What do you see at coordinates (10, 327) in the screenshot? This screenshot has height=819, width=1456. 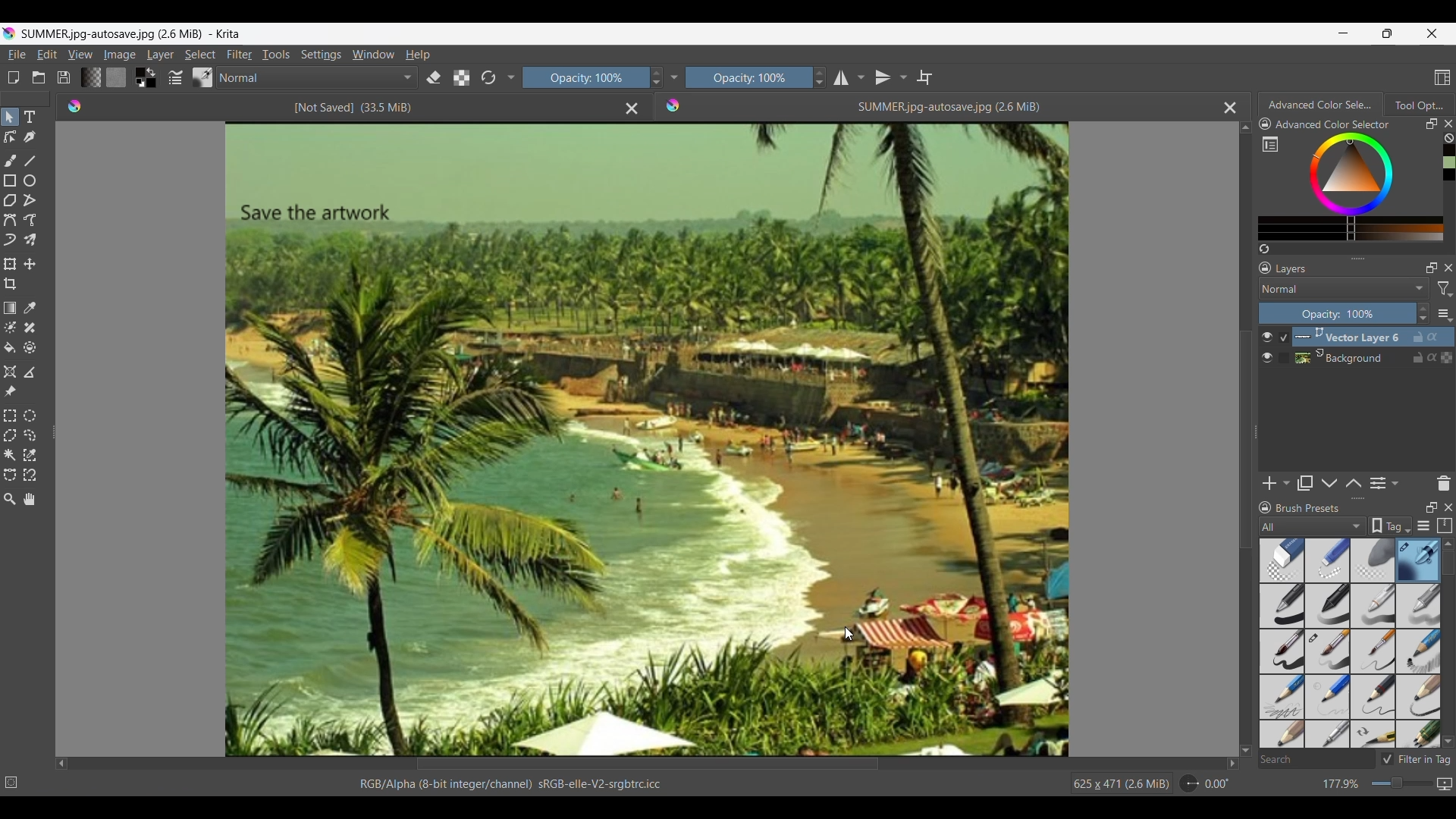 I see `Colorize mask tool` at bounding box center [10, 327].